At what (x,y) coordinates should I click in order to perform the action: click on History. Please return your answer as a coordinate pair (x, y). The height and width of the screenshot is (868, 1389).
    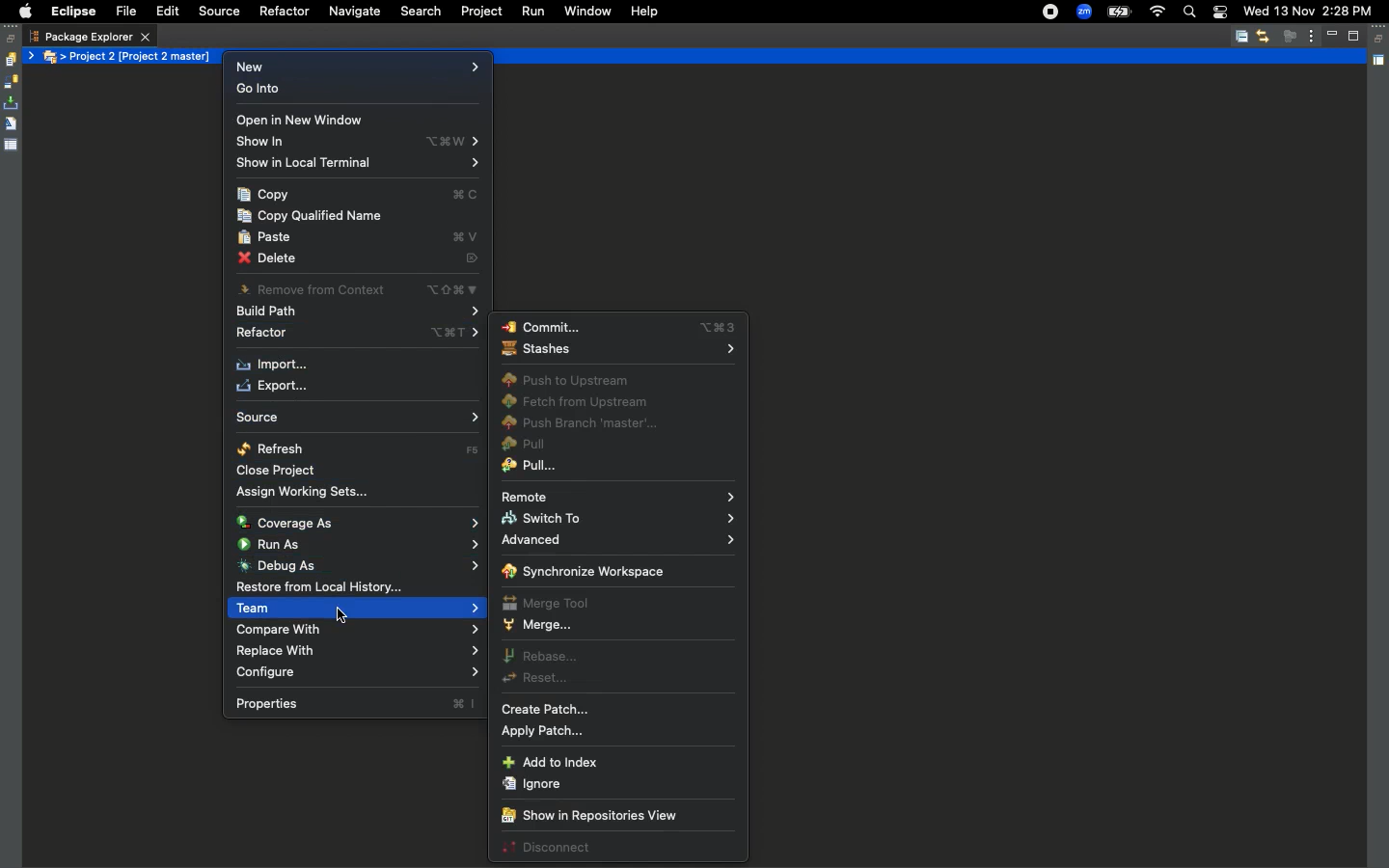
    Looking at the image, I should click on (10, 60).